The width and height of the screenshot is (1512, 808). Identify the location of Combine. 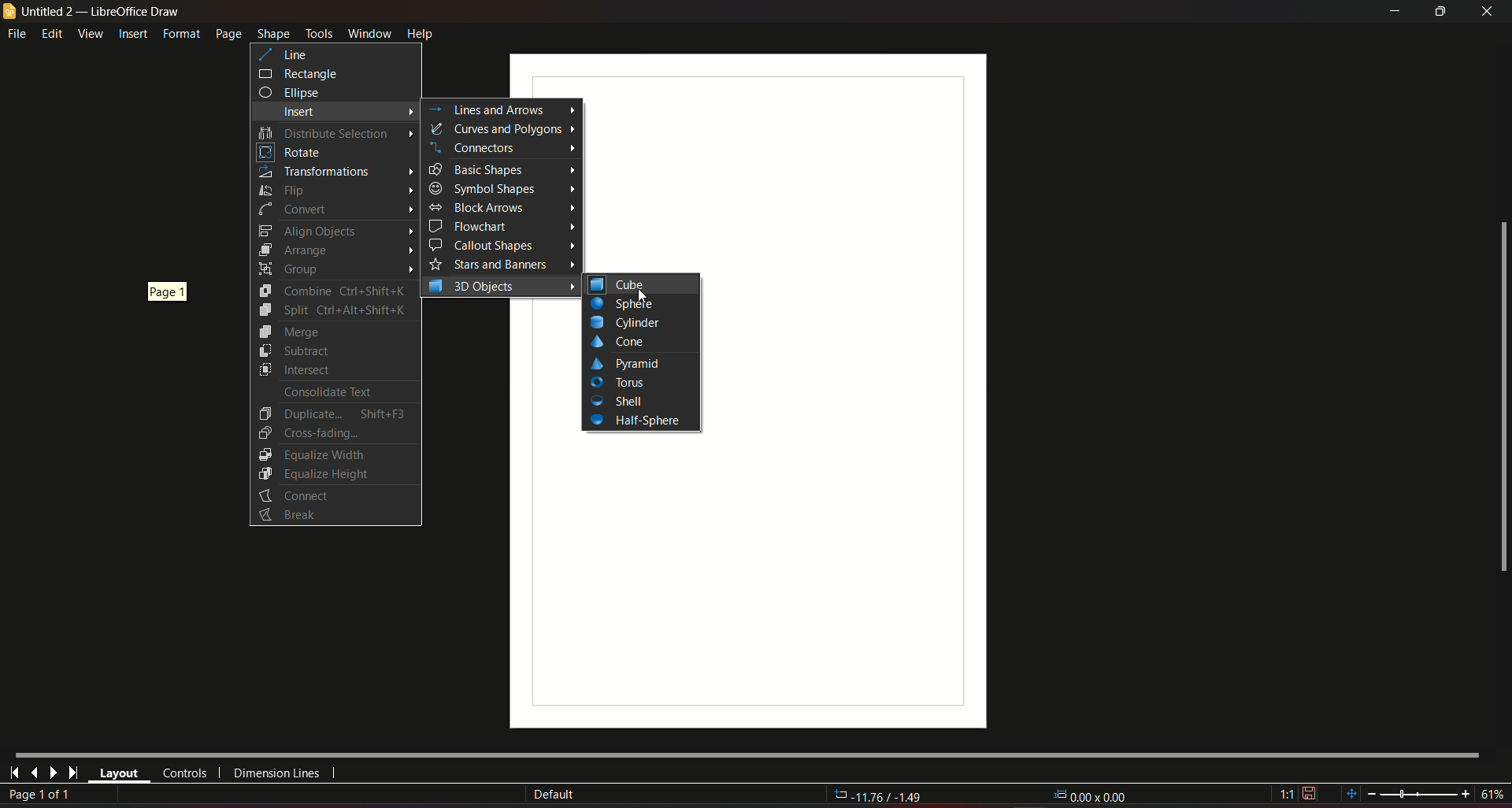
(334, 290).